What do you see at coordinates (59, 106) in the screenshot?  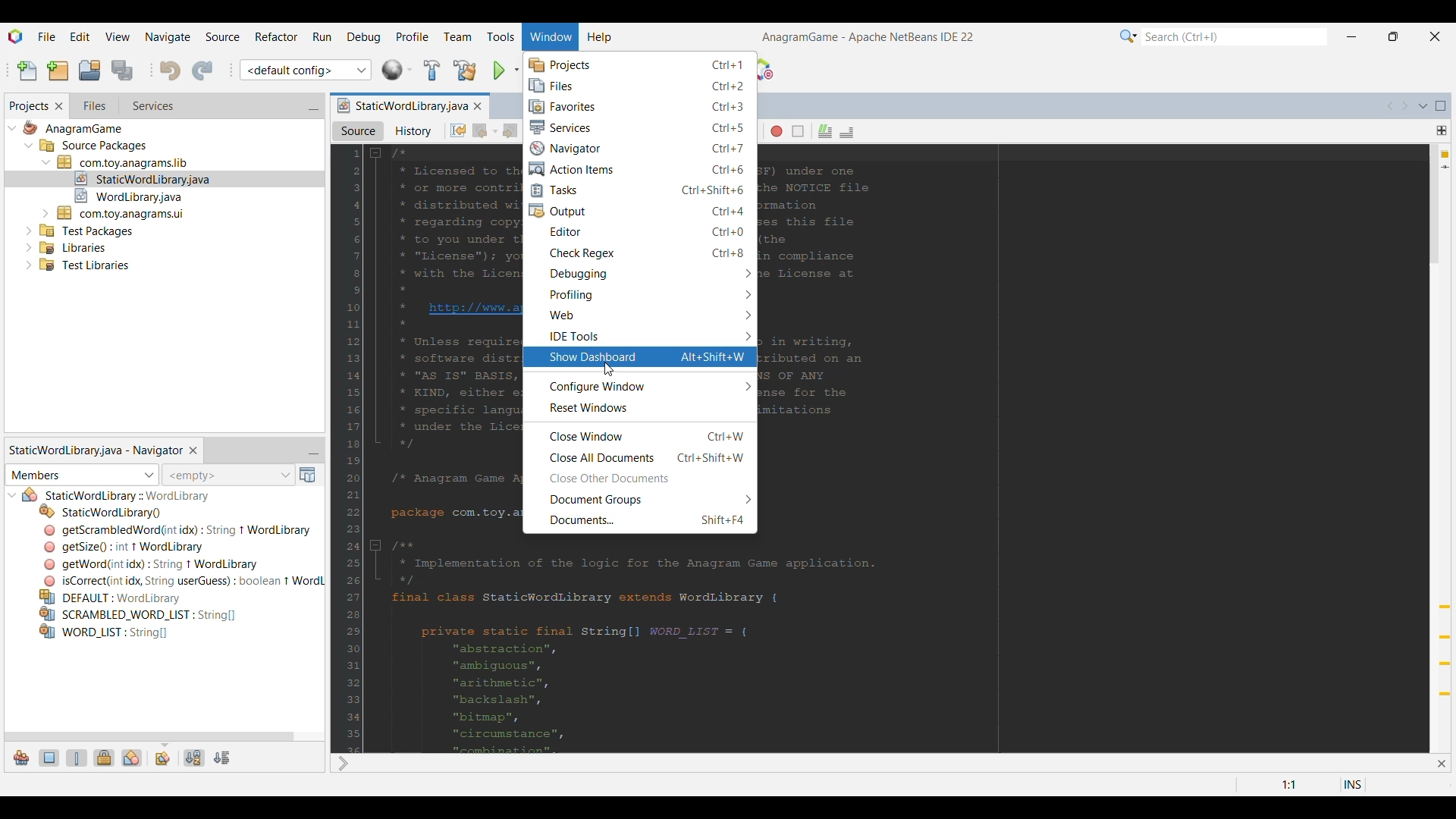 I see `Close Projects` at bounding box center [59, 106].